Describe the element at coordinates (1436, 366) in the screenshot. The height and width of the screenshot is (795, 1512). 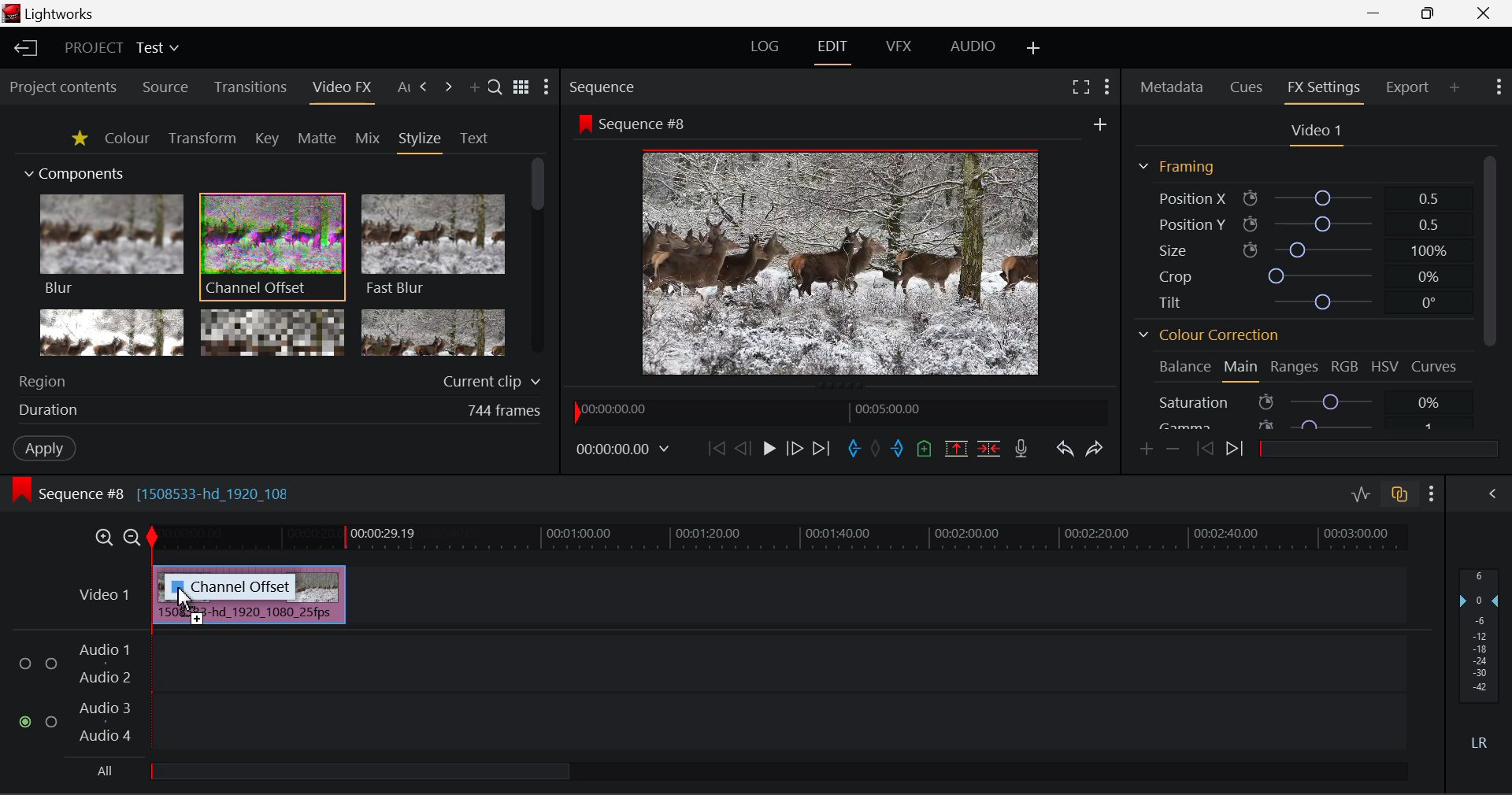
I see `Curves` at that location.